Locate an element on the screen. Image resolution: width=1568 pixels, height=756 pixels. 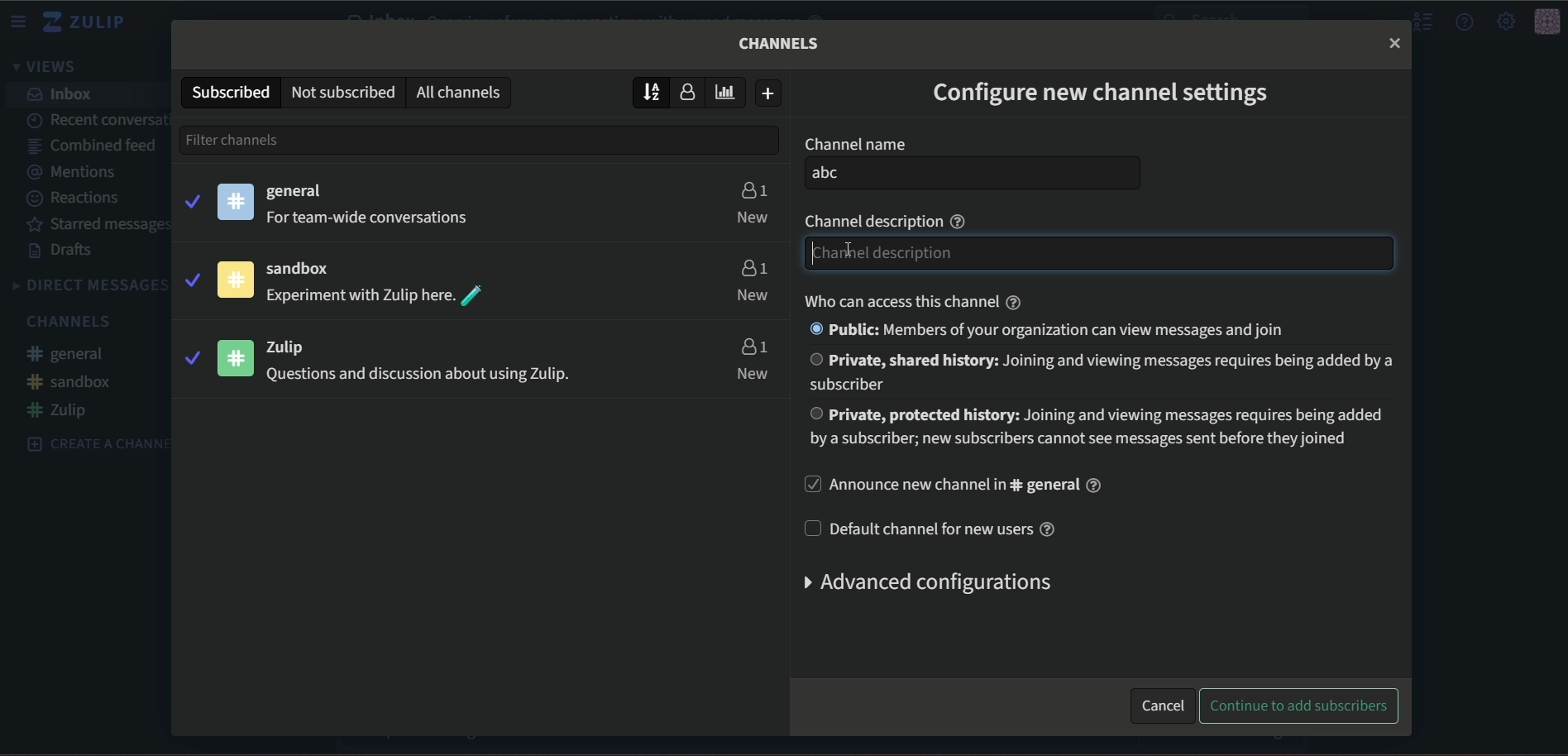
cancel is located at coordinates (1162, 703).